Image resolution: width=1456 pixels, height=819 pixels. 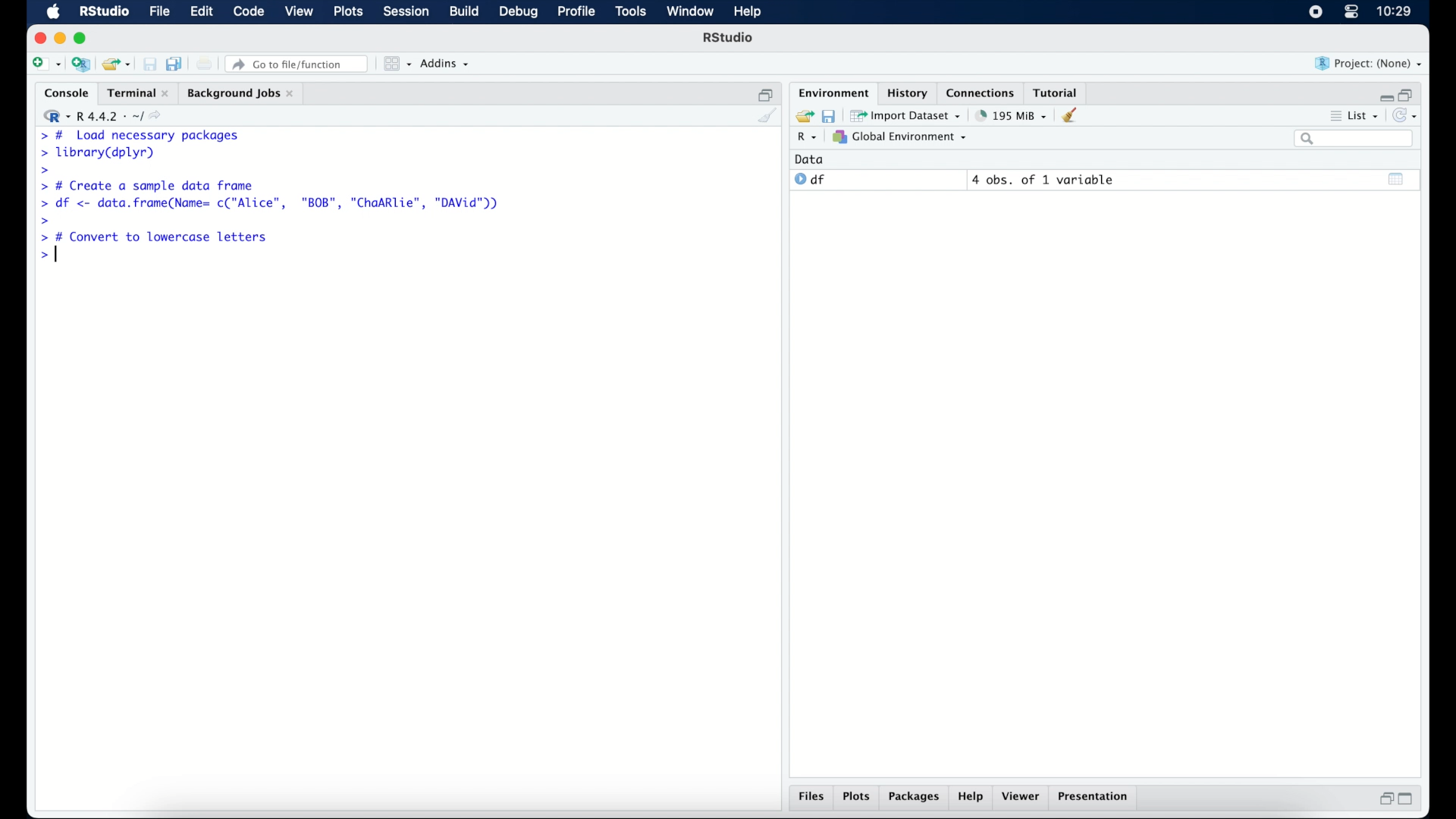 I want to click on df, so click(x=810, y=180).